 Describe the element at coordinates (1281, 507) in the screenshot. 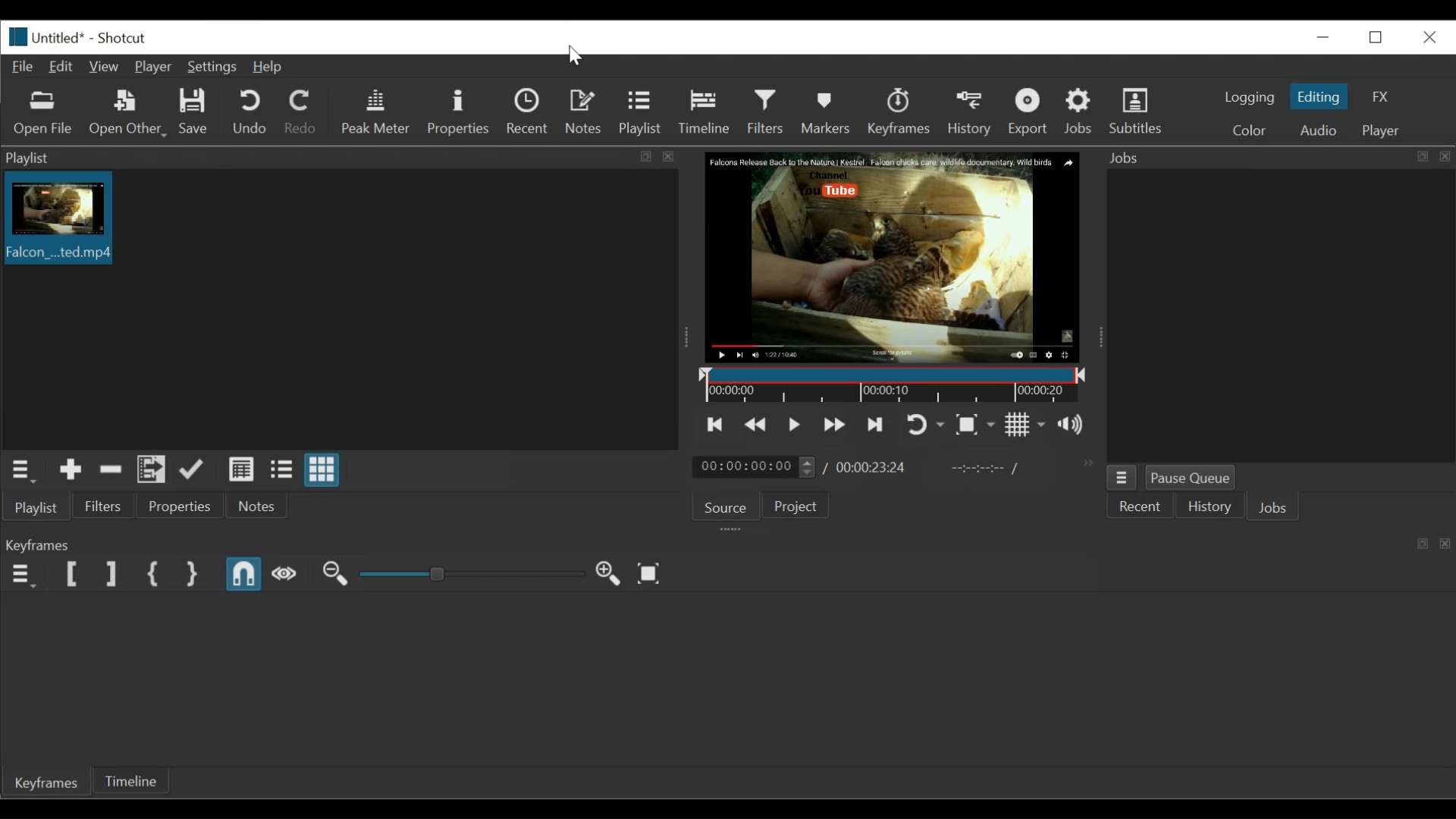

I see `Jobs` at that location.